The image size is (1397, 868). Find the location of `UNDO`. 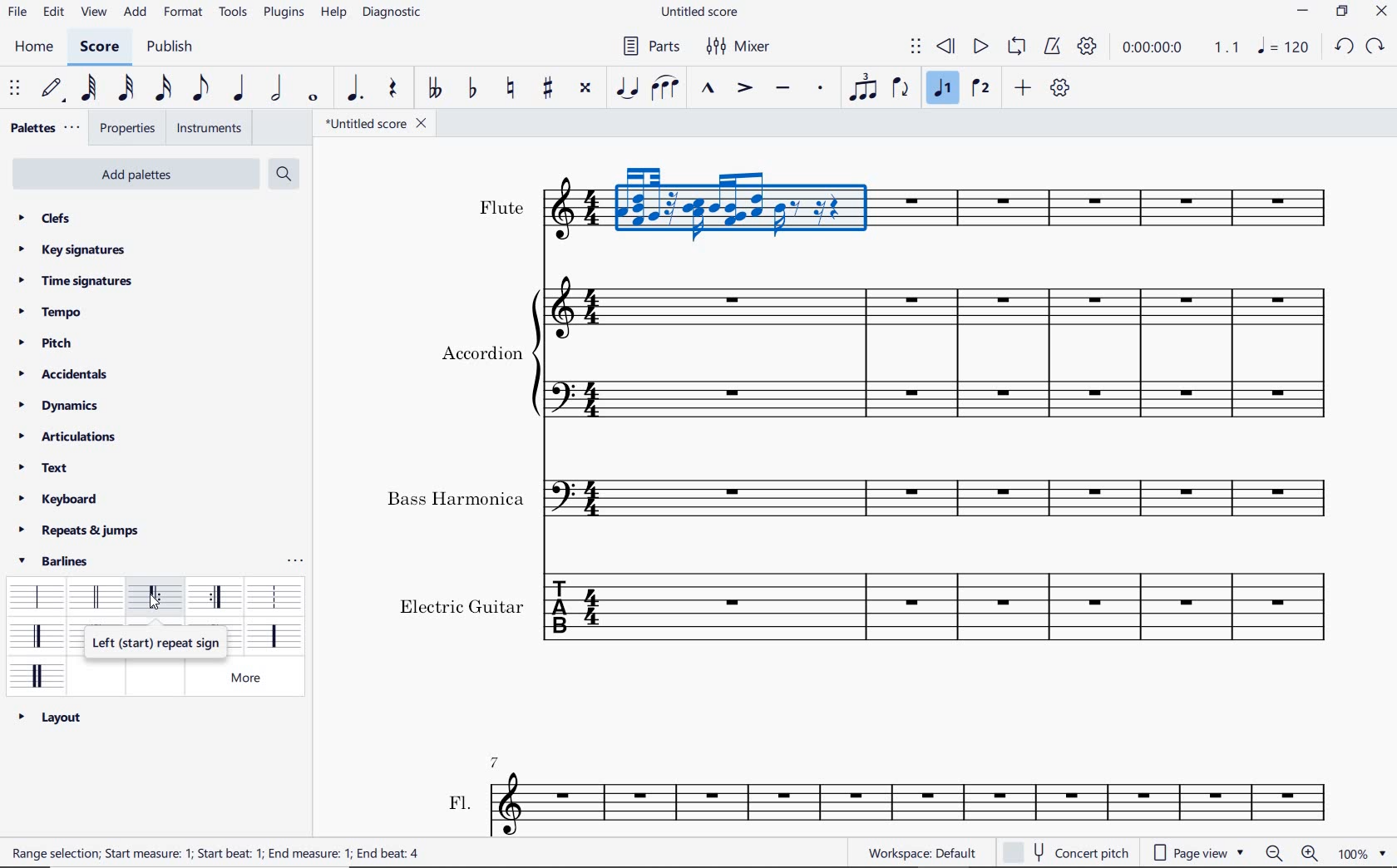

UNDO is located at coordinates (1342, 46).